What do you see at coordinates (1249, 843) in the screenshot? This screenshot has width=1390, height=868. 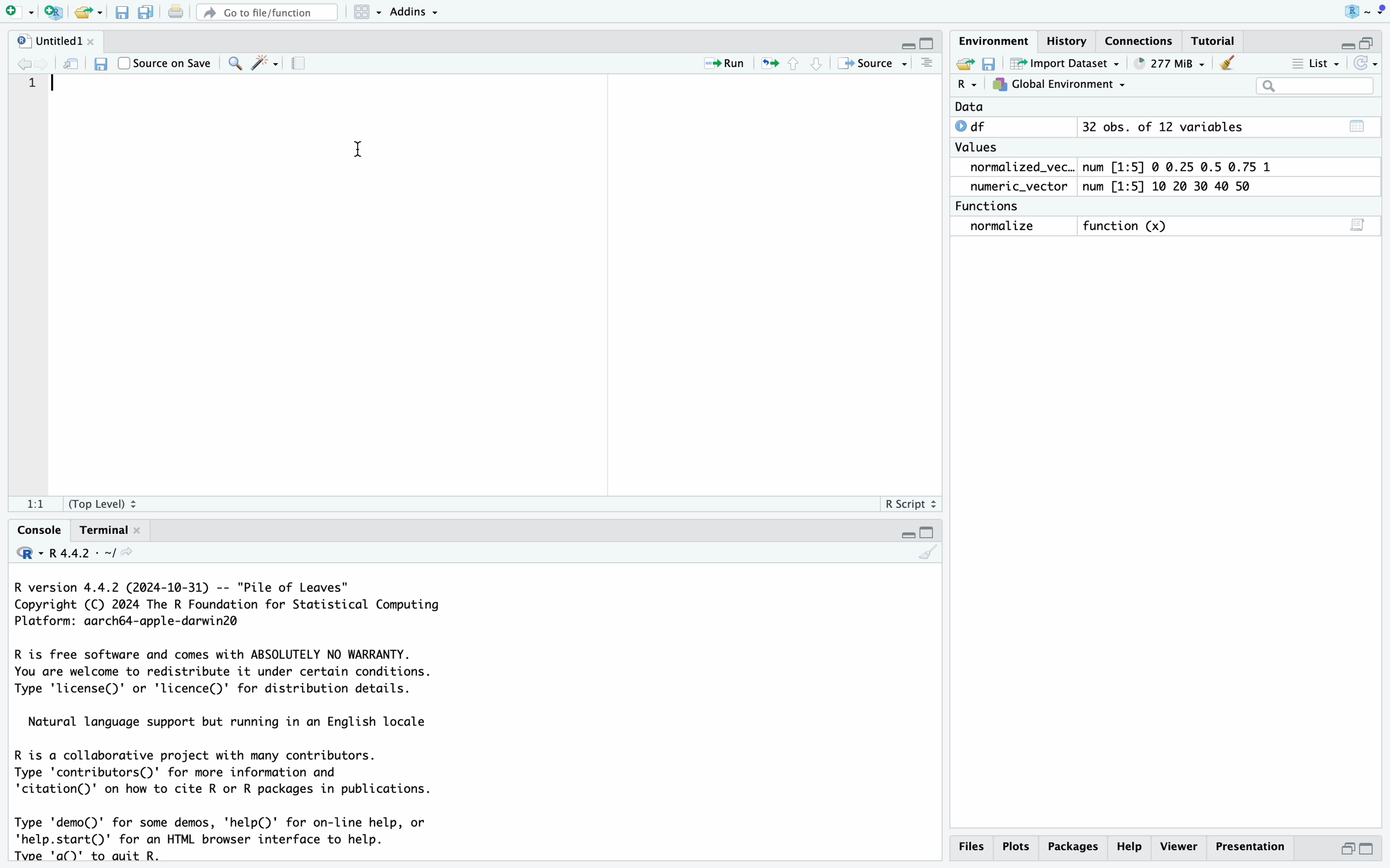 I see `Presentation` at bounding box center [1249, 843].